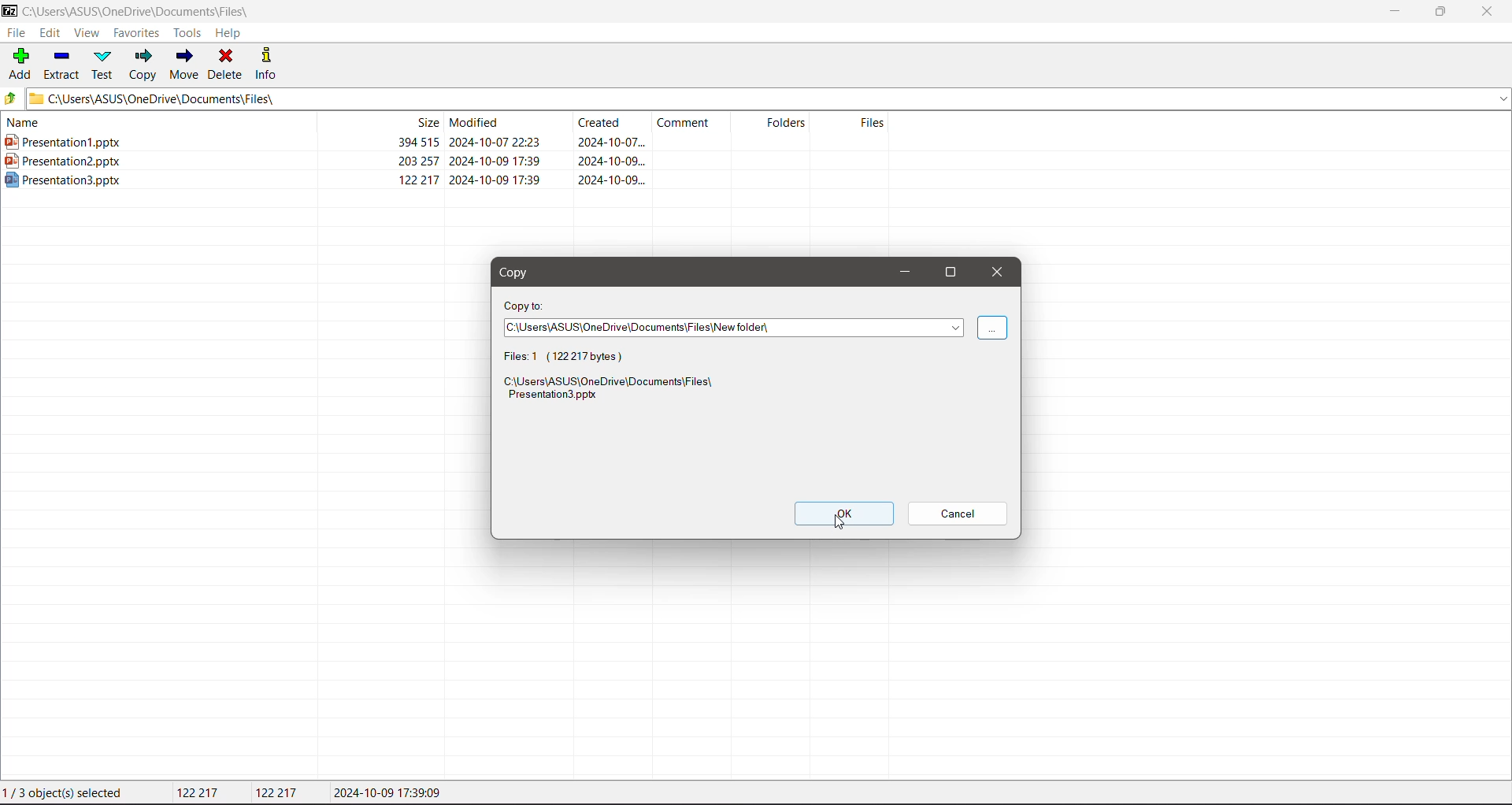 The height and width of the screenshot is (805, 1512). Describe the element at coordinates (268, 63) in the screenshot. I see `Info` at that location.